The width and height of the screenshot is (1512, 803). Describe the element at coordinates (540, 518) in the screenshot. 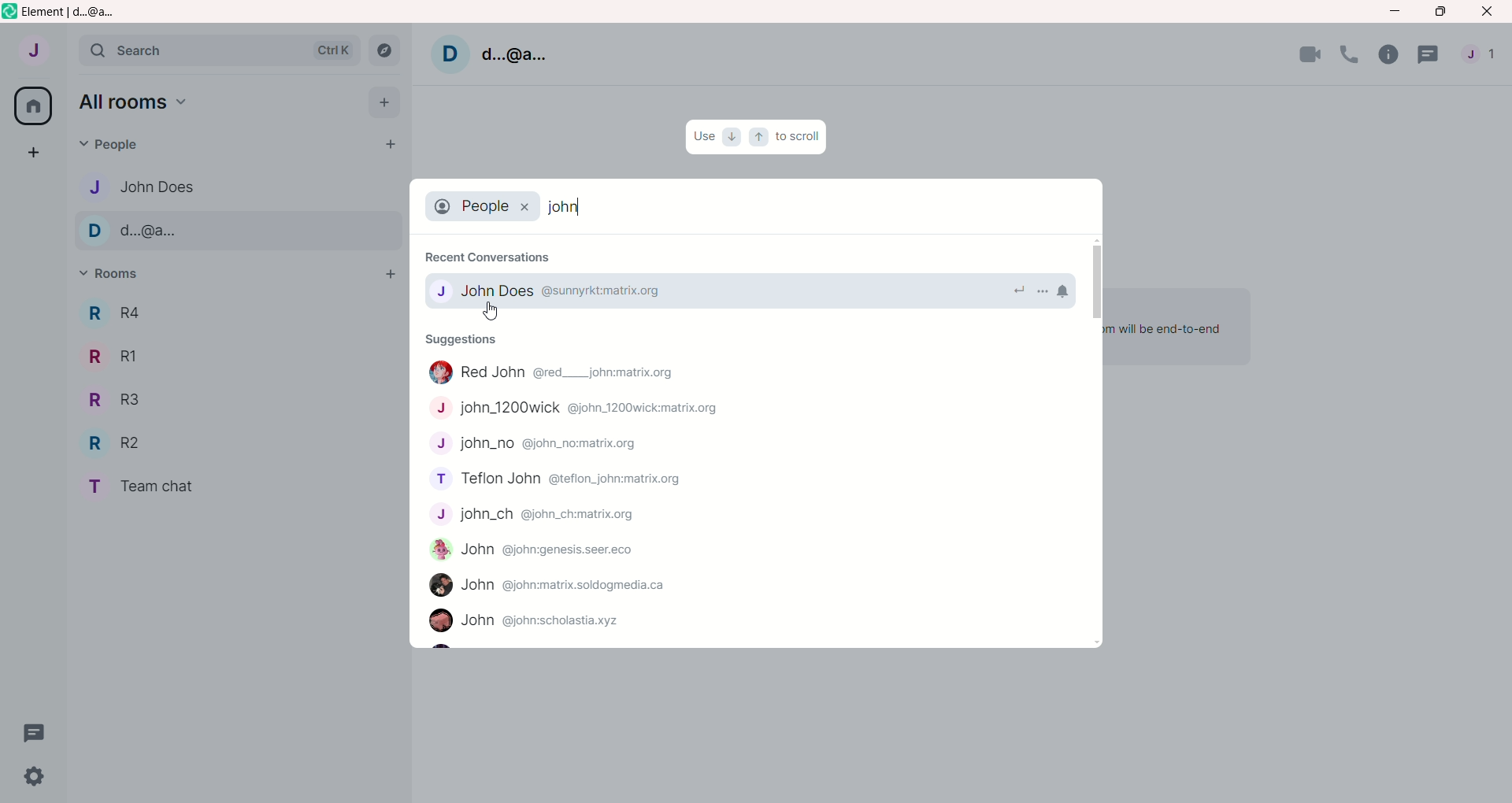

I see `john ch` at that location.